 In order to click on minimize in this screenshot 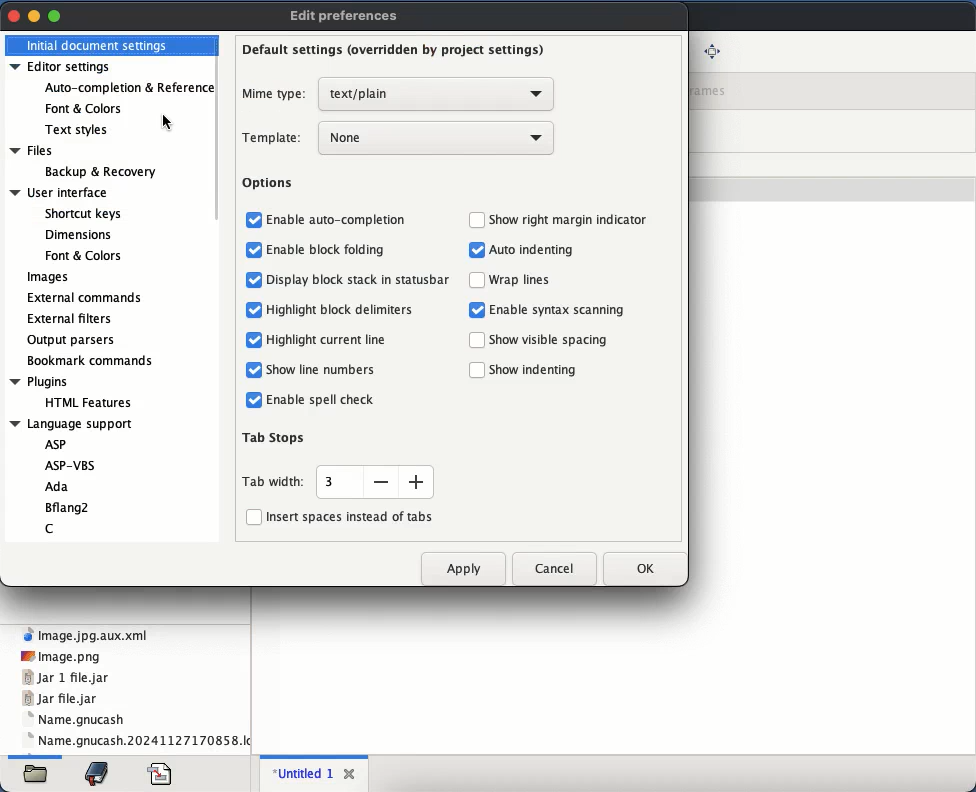, I will do `click(34, 15)`.